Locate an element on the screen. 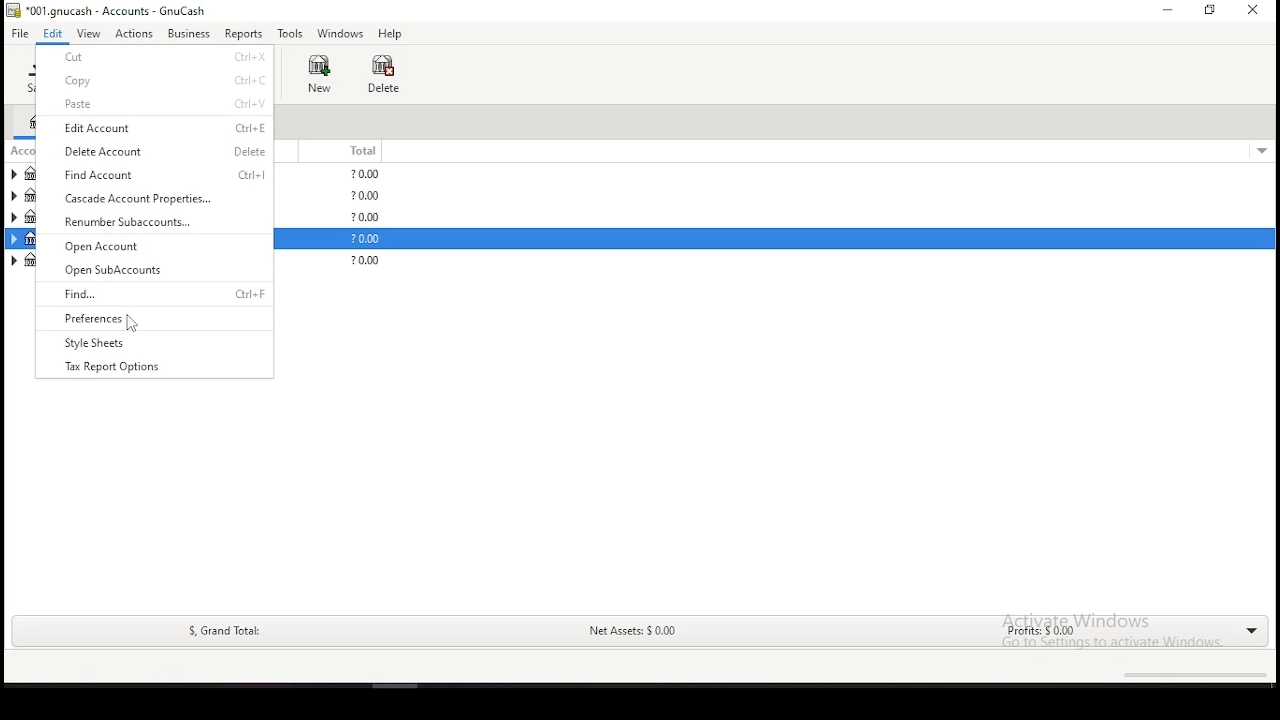 This screenshot has height=720, width=1280. paste is located at coordinates (164, 104).